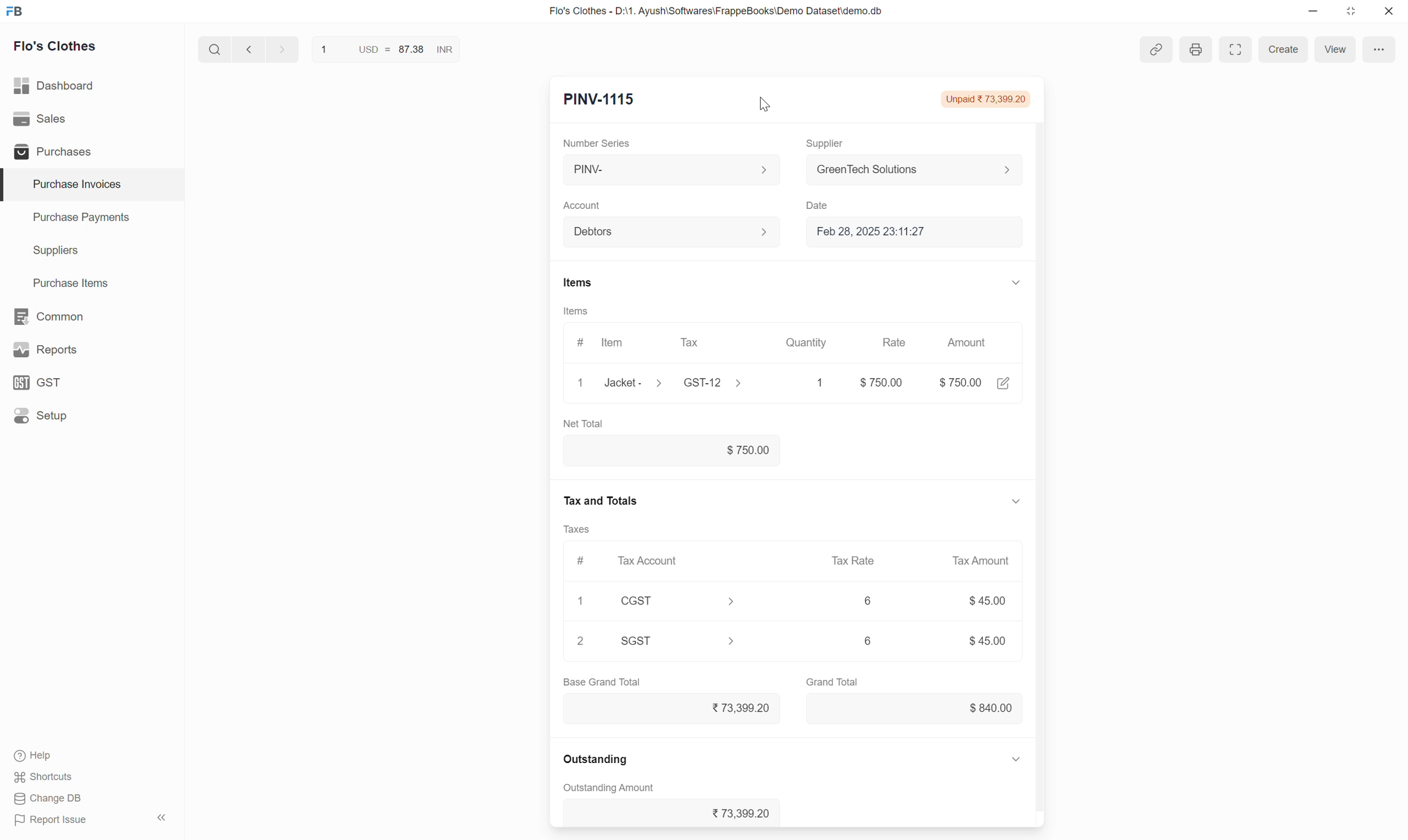  What do you see at coordinates (249, 49) in the screenshot?
I see `Previous` at bounding box center [249, 49].